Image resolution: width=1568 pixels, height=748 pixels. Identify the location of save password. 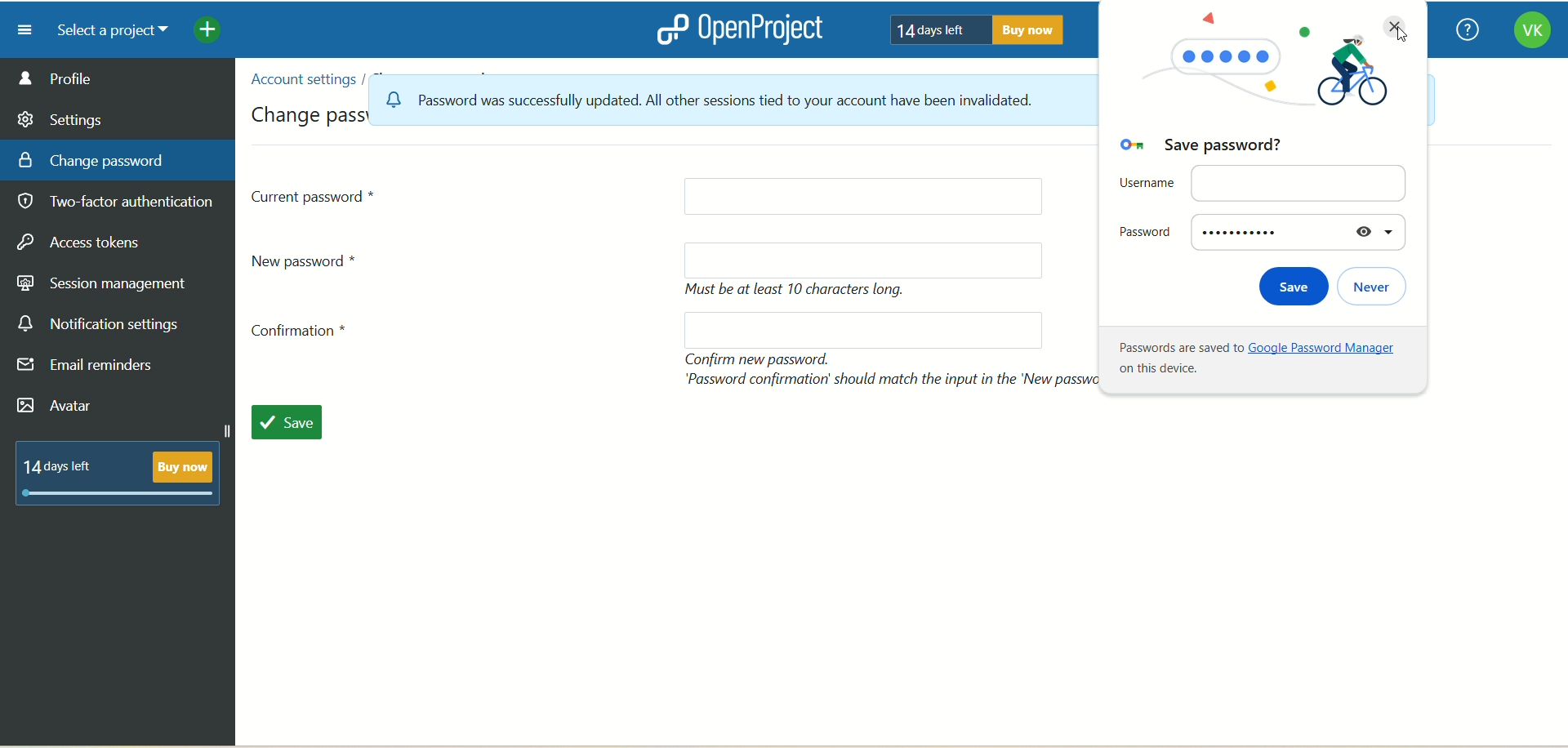
(1215, 148).